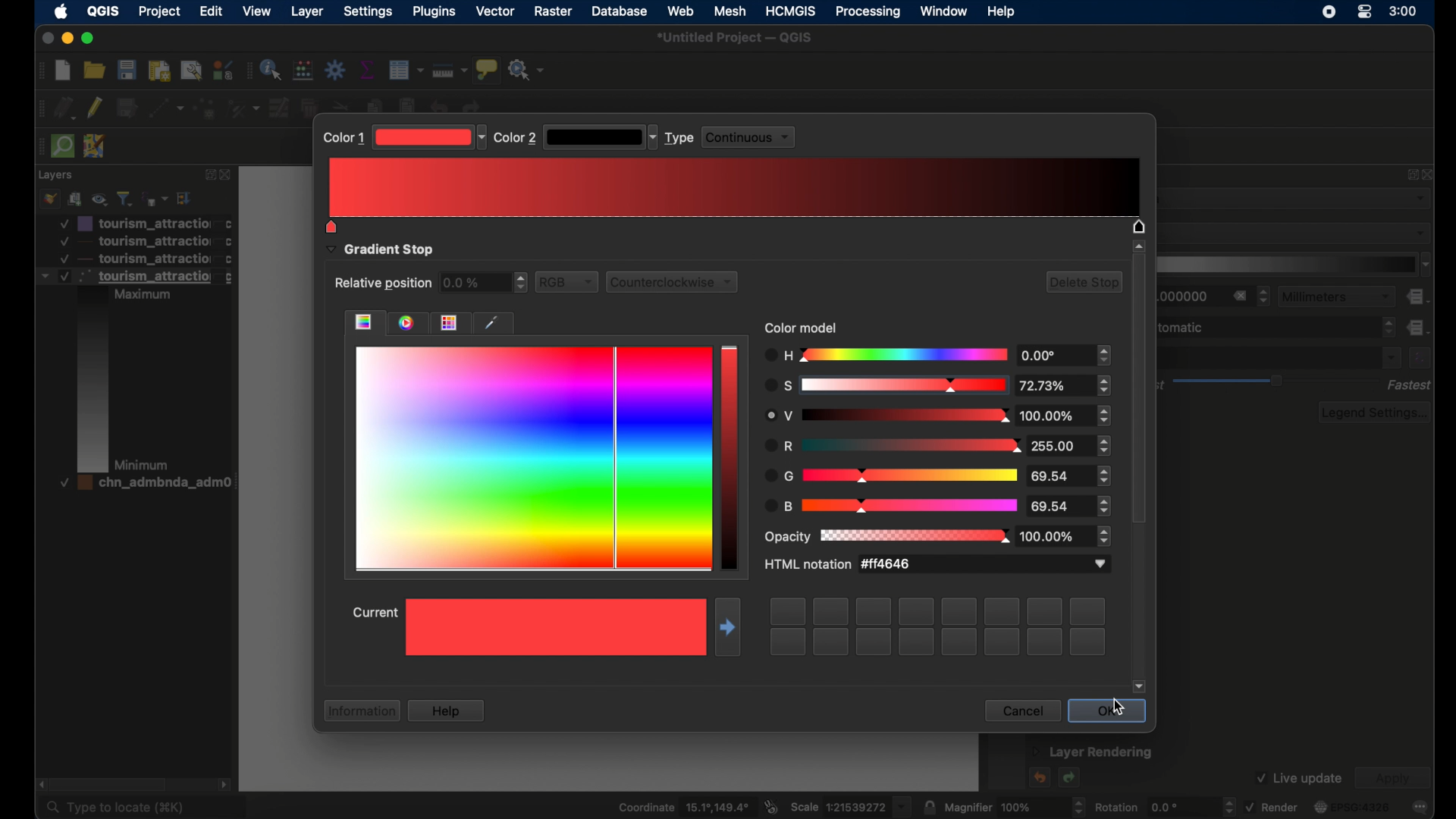 This screenshot has width=1456, height=819. Describe the element at coordinates (127, 108) in the screenshot. I see `save edits` at that location.